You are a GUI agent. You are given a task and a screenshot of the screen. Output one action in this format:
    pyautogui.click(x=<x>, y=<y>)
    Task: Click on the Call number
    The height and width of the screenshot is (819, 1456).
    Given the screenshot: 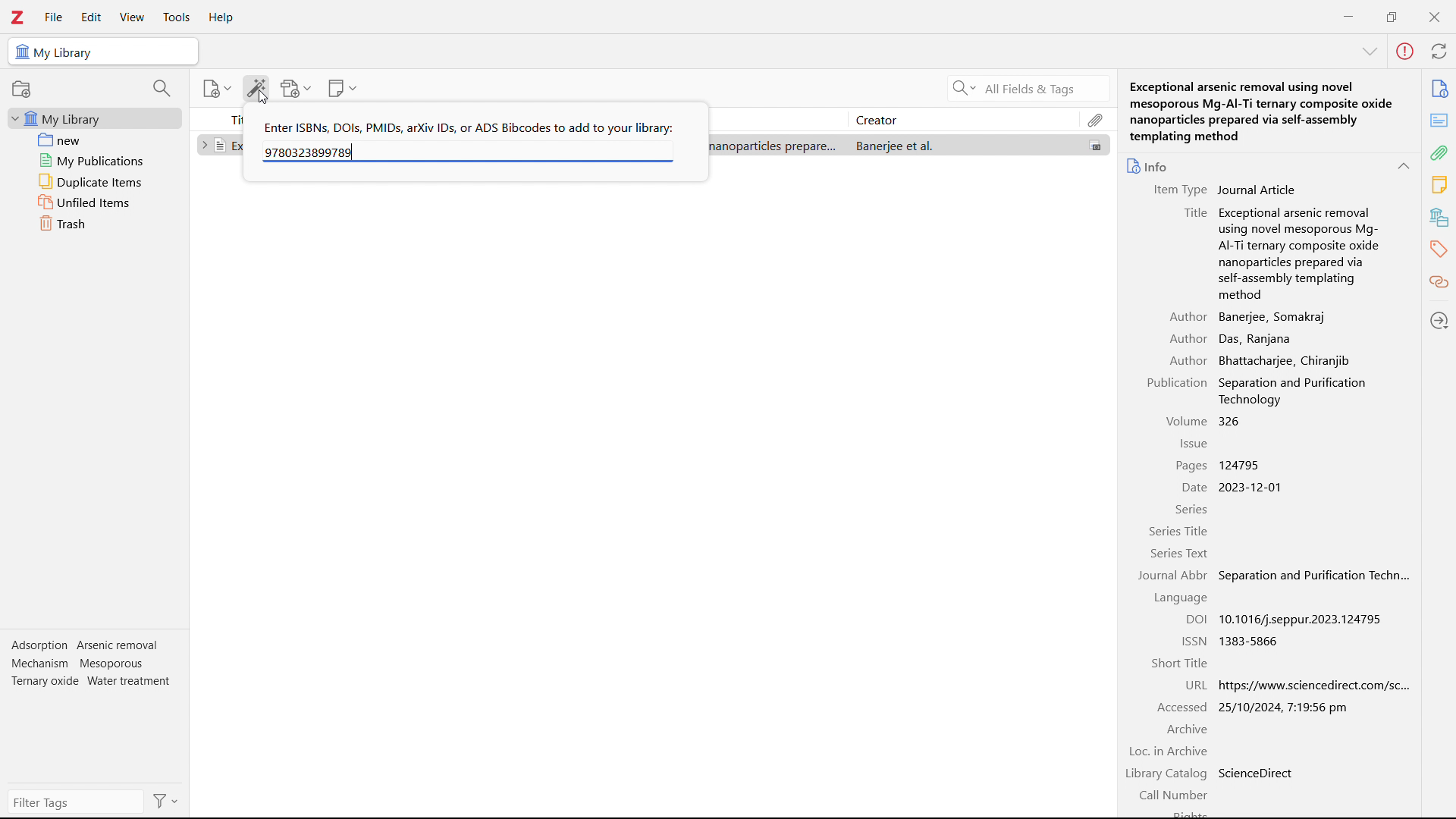 What is the action you would take?
    pyautogui.click(x=1176, y=796)
    